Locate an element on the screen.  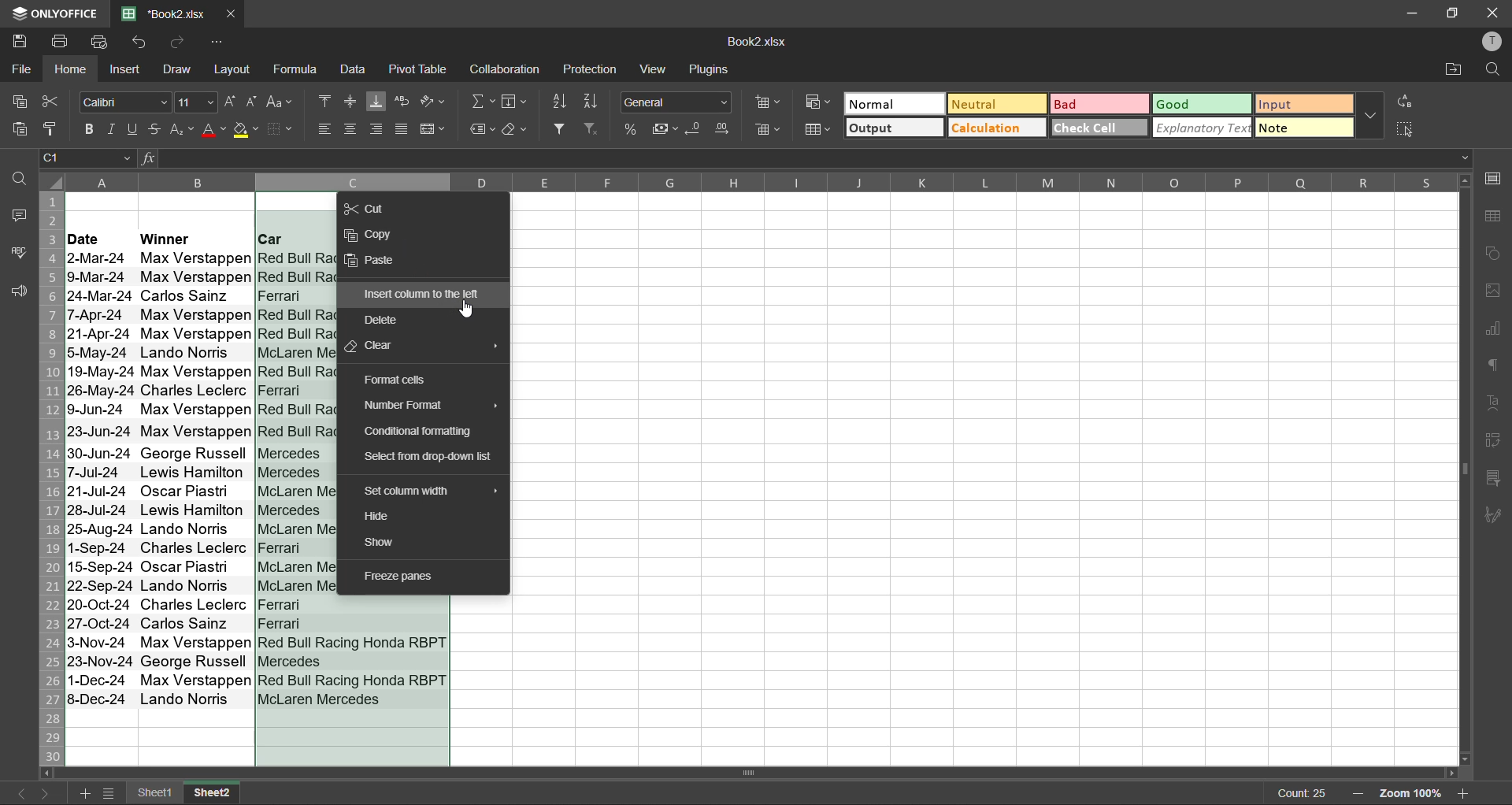
sort descending is located at coordinates (593, 102).